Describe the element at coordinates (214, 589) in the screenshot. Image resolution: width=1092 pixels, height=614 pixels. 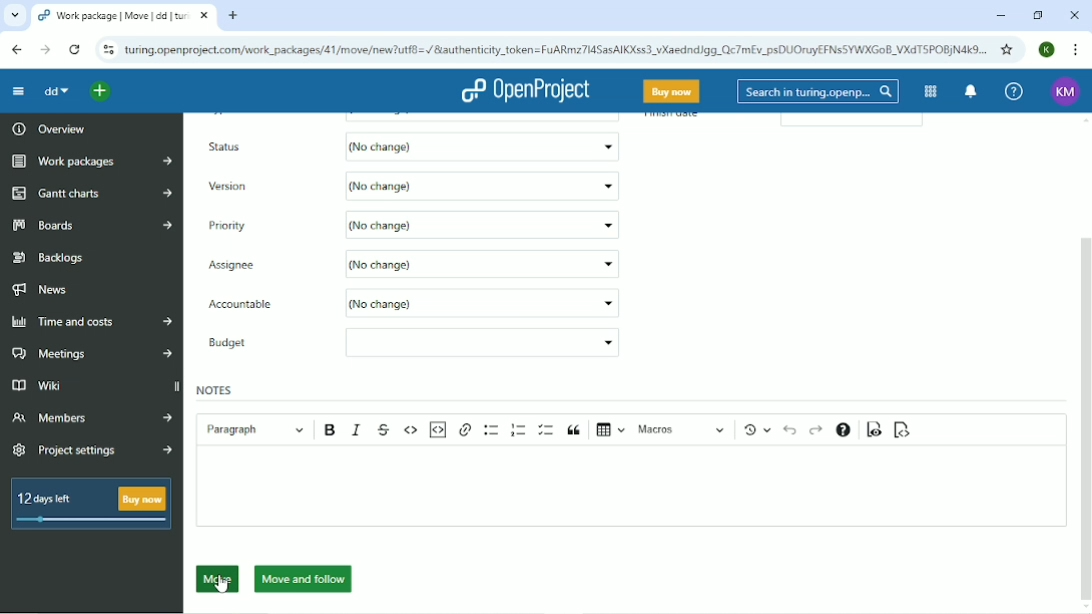
I see `cursor` at that location.